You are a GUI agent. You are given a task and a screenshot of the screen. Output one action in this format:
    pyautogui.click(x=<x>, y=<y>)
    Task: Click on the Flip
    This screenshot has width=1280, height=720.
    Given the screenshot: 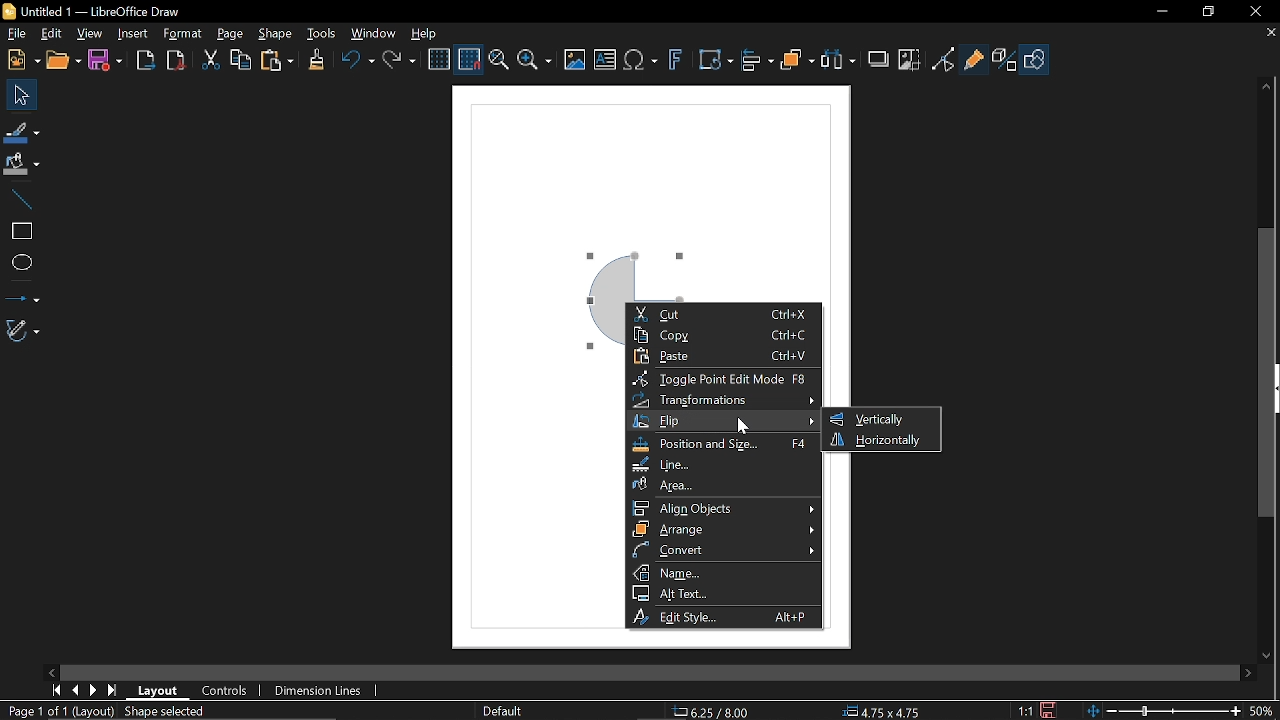 What is the action you would take?
    pyautogui.click(x=724, y=422)
    